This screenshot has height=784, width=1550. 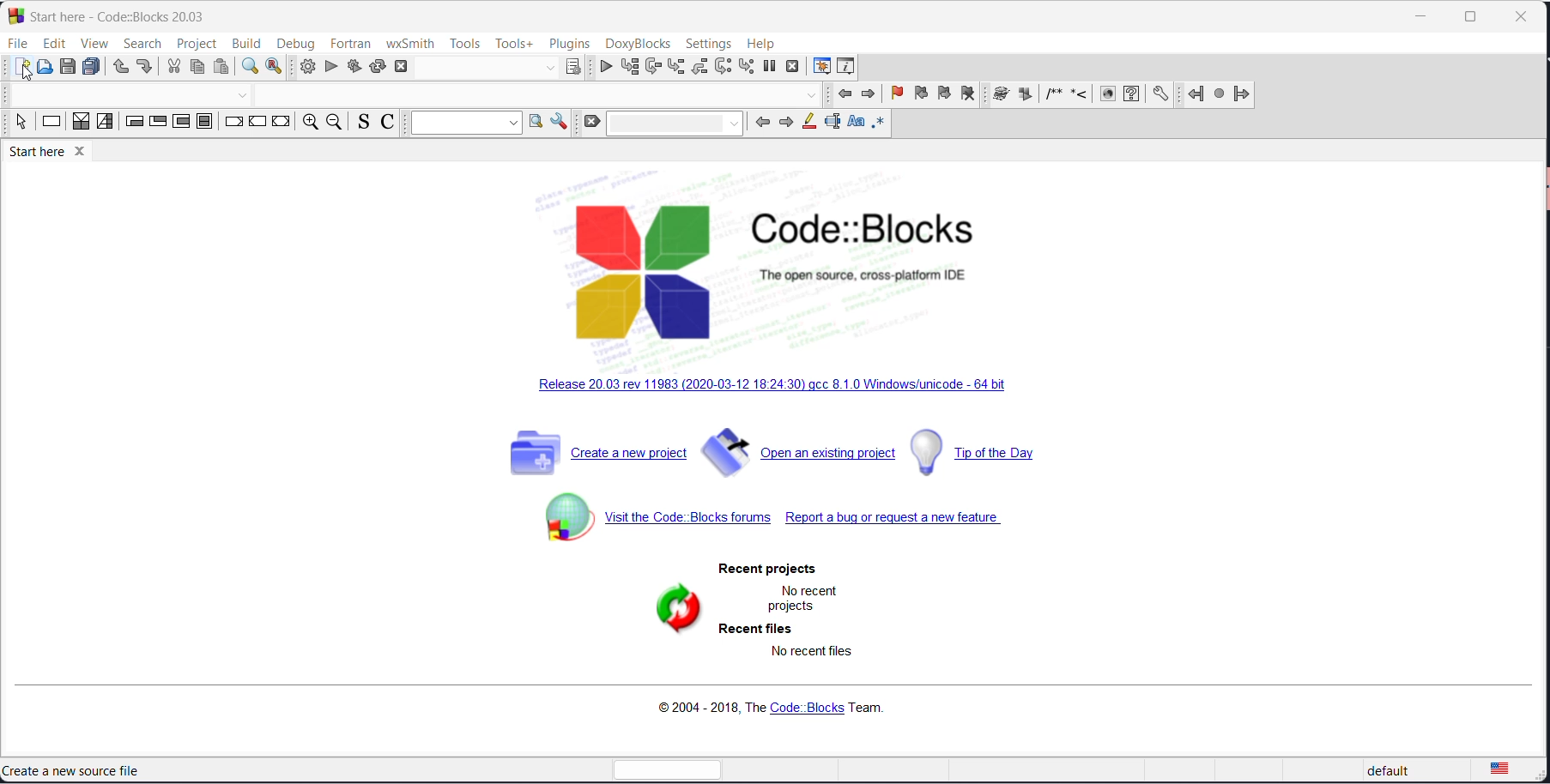 I want to click on file, so click(x=19, y=41).